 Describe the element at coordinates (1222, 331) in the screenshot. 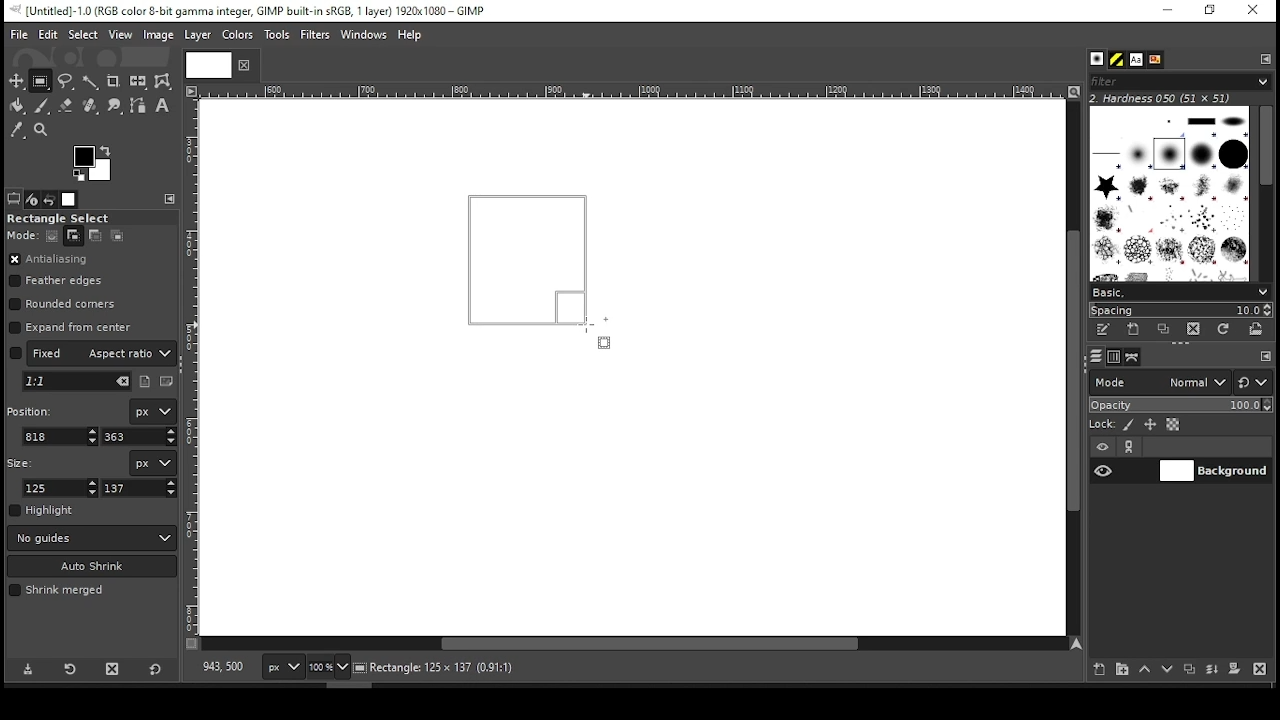

I see `refresh brushes` at that location.